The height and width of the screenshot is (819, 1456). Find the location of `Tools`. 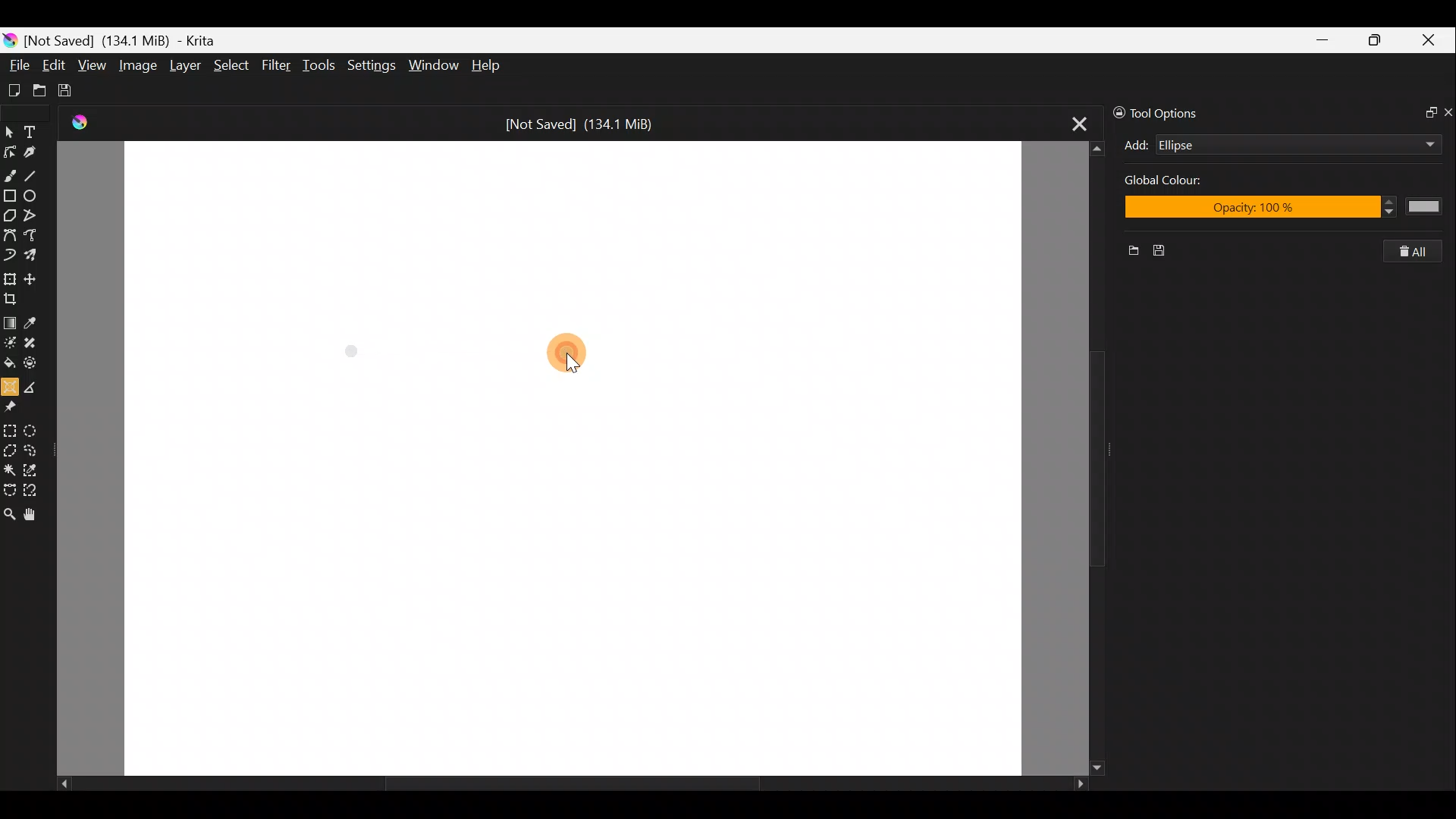

Tools is located at coordinates (322, 67).